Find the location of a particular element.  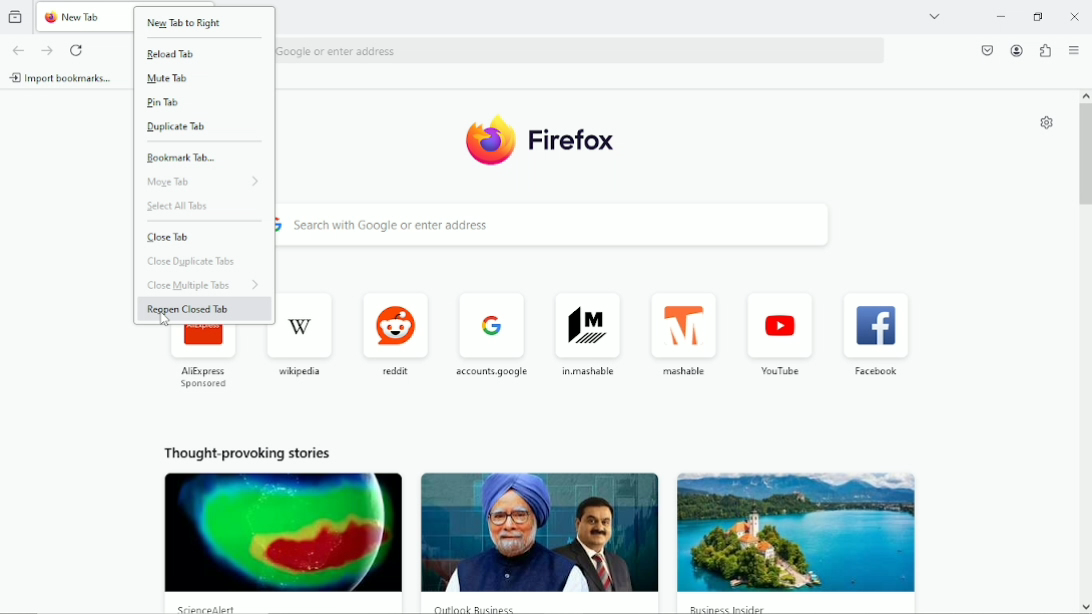

View recent browsing is located at coordinates (16, 16).